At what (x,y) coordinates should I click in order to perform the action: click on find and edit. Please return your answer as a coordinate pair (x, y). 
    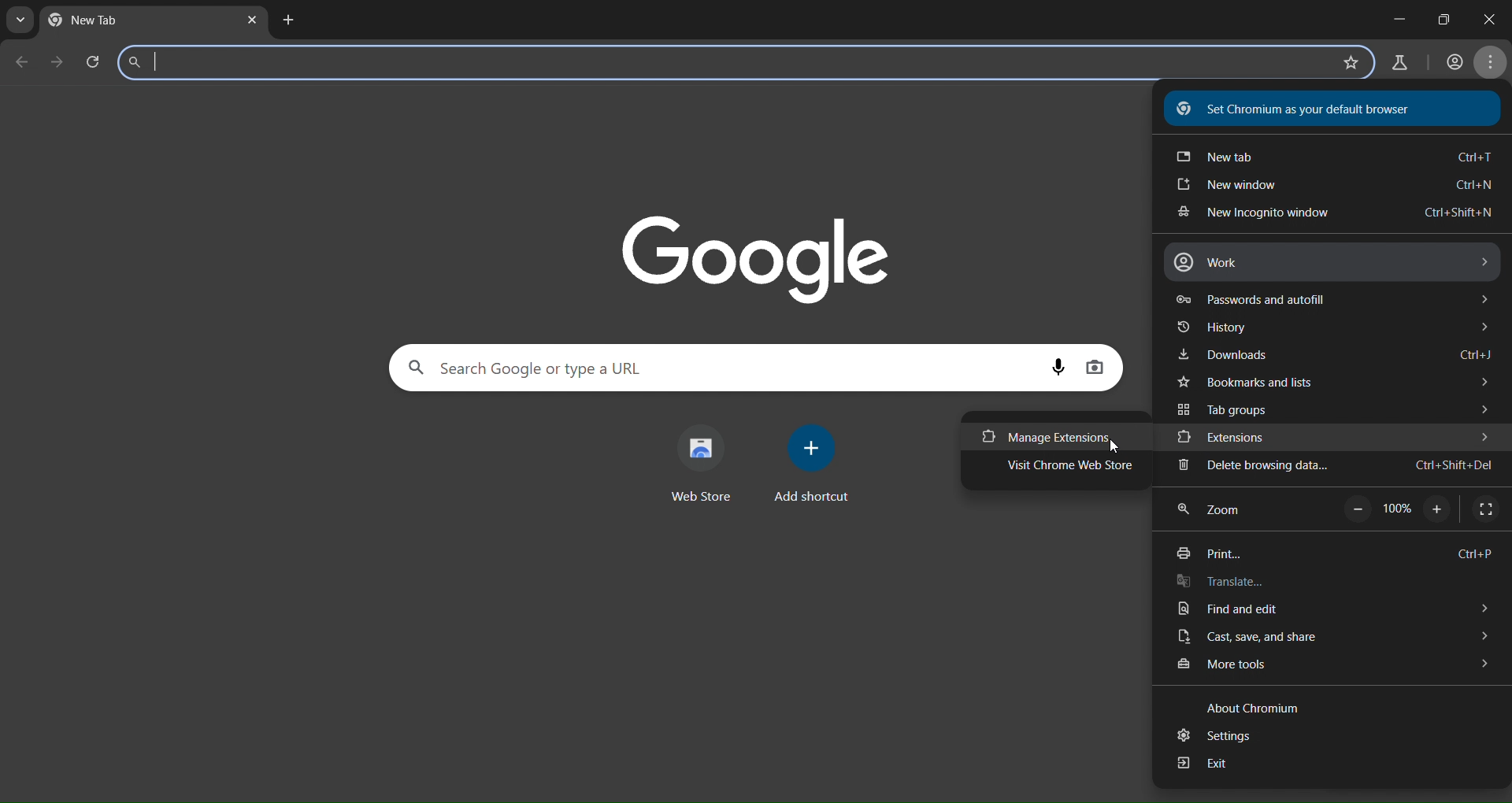
    Looking at the image, I should click on (1336, 609).